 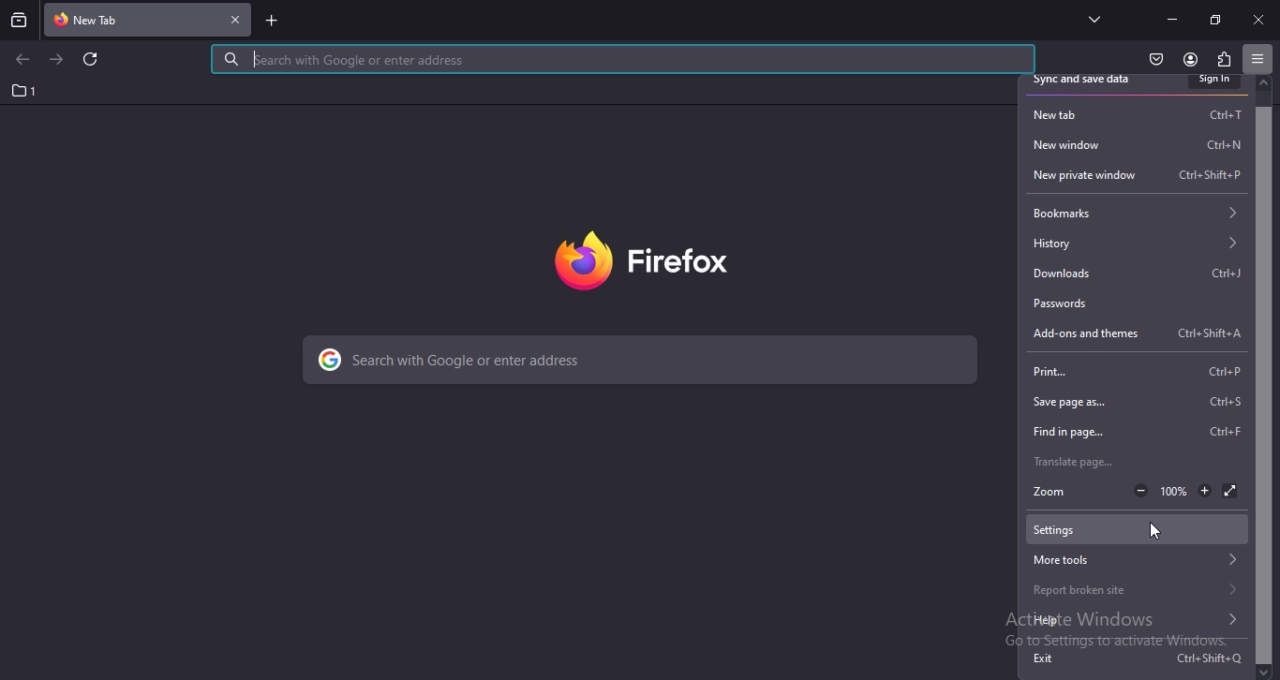 What do you see at coordinates (88, 61) in the screenshot?
I see `reload current page` at bounding box center [88, 61].